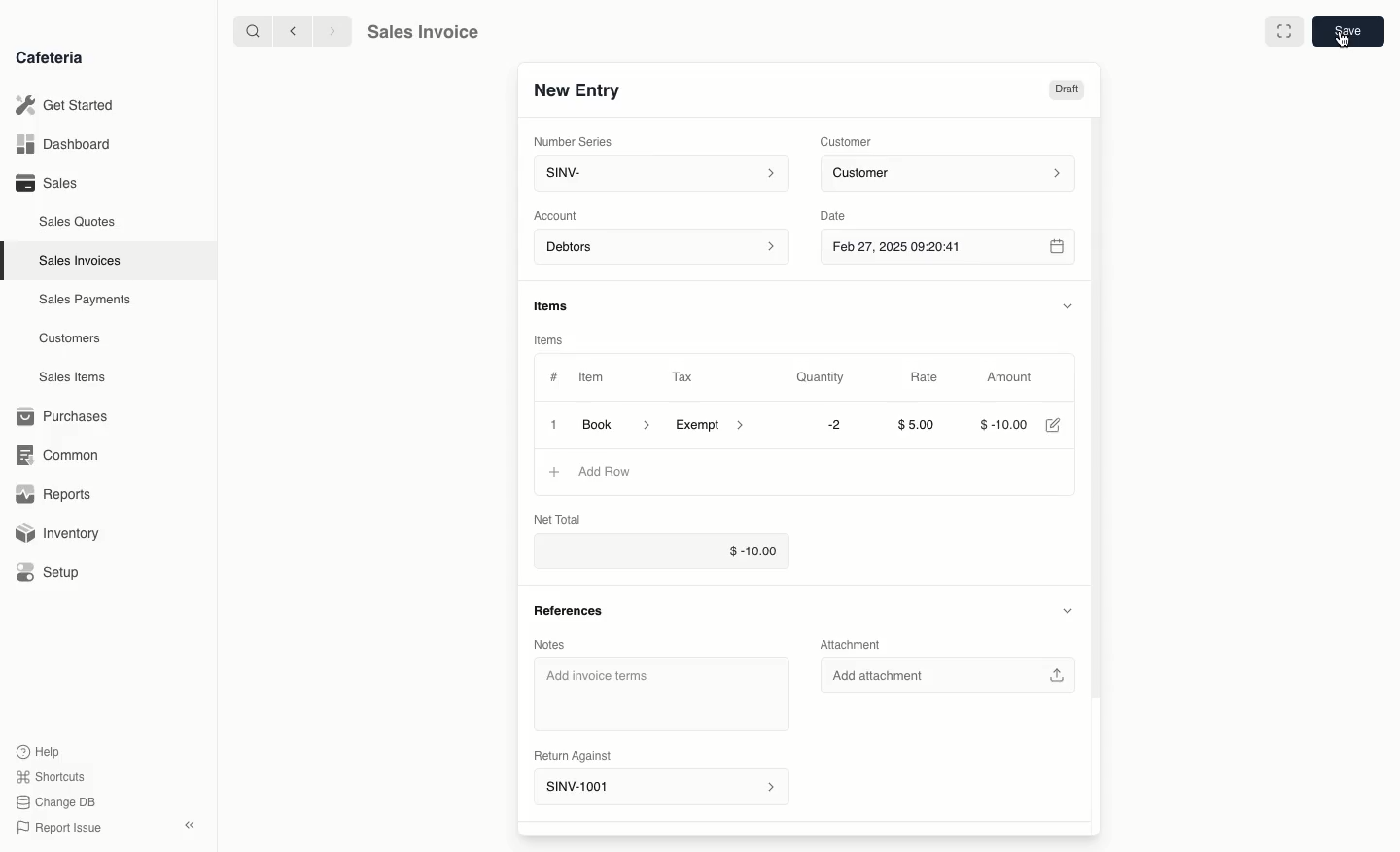 This screenshot has width=1400, height=852. What do you see at coordinates (550, 424) in the screenshot?
I see `1` at bounding box center [550, 424].